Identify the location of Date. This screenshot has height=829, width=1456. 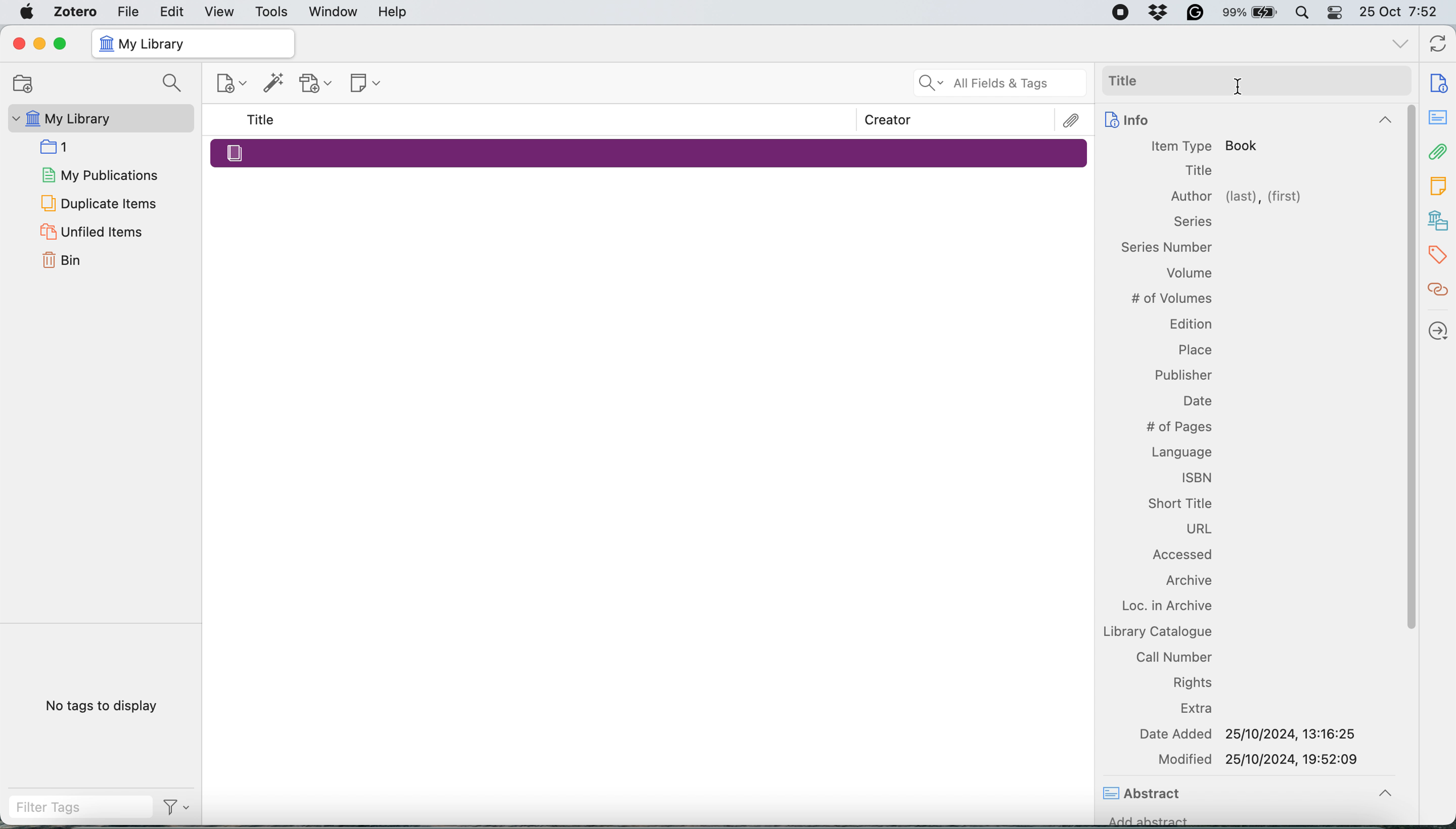
(1196, 401).